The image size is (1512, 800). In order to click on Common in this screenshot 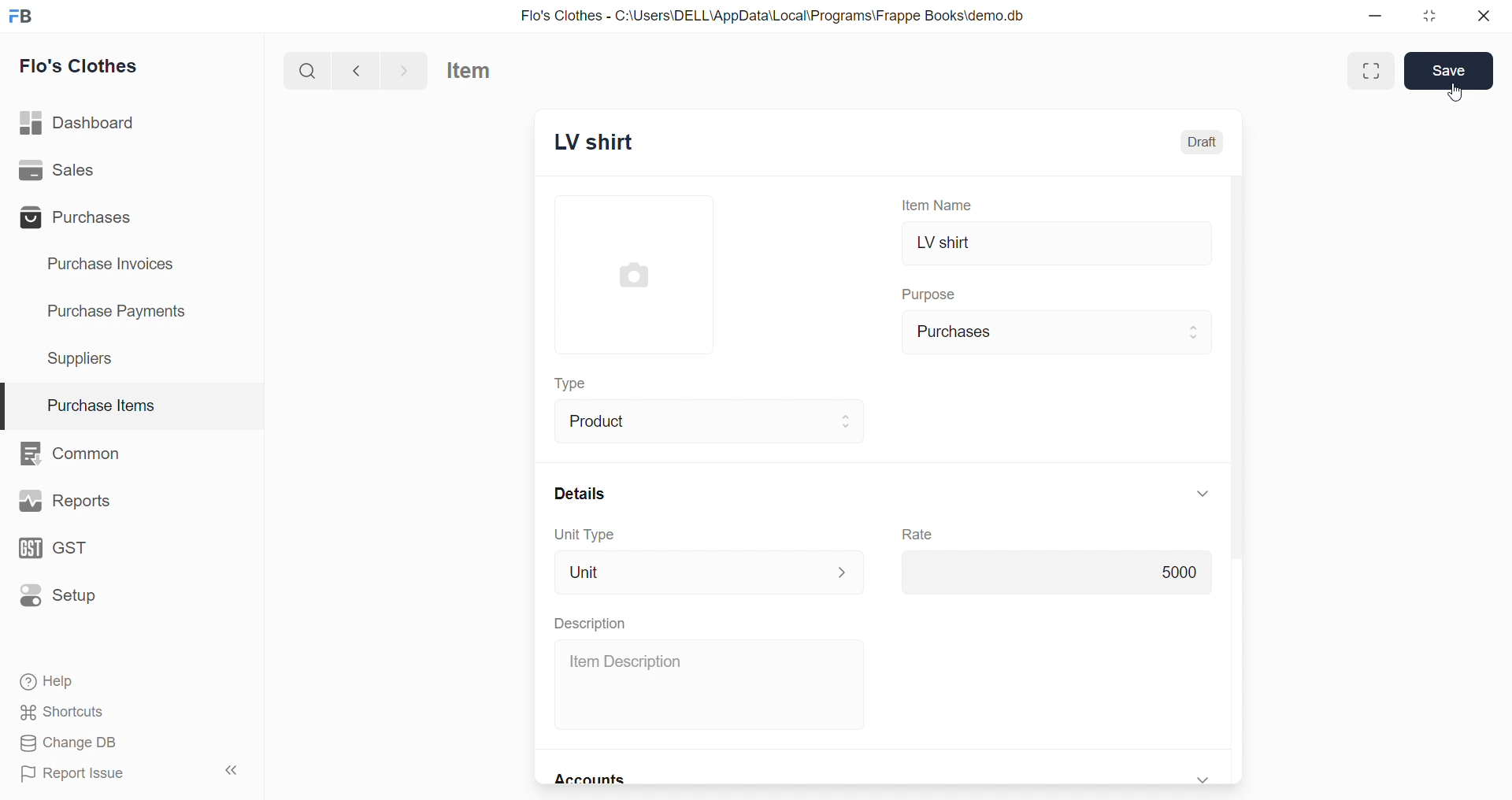, I will do `click(79, 452)`.